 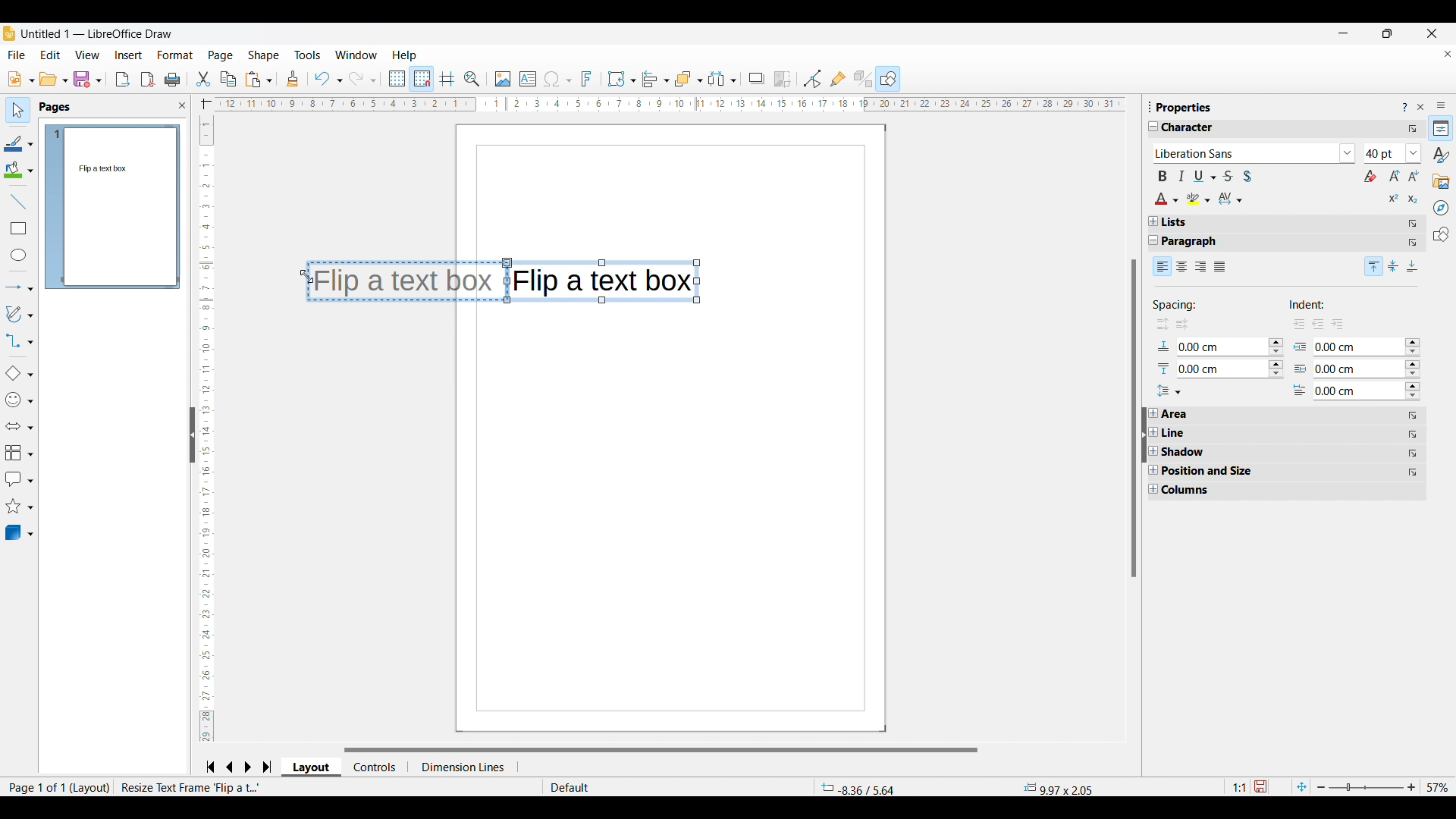 I want to click on Italics, so click(x=1181, y=176).